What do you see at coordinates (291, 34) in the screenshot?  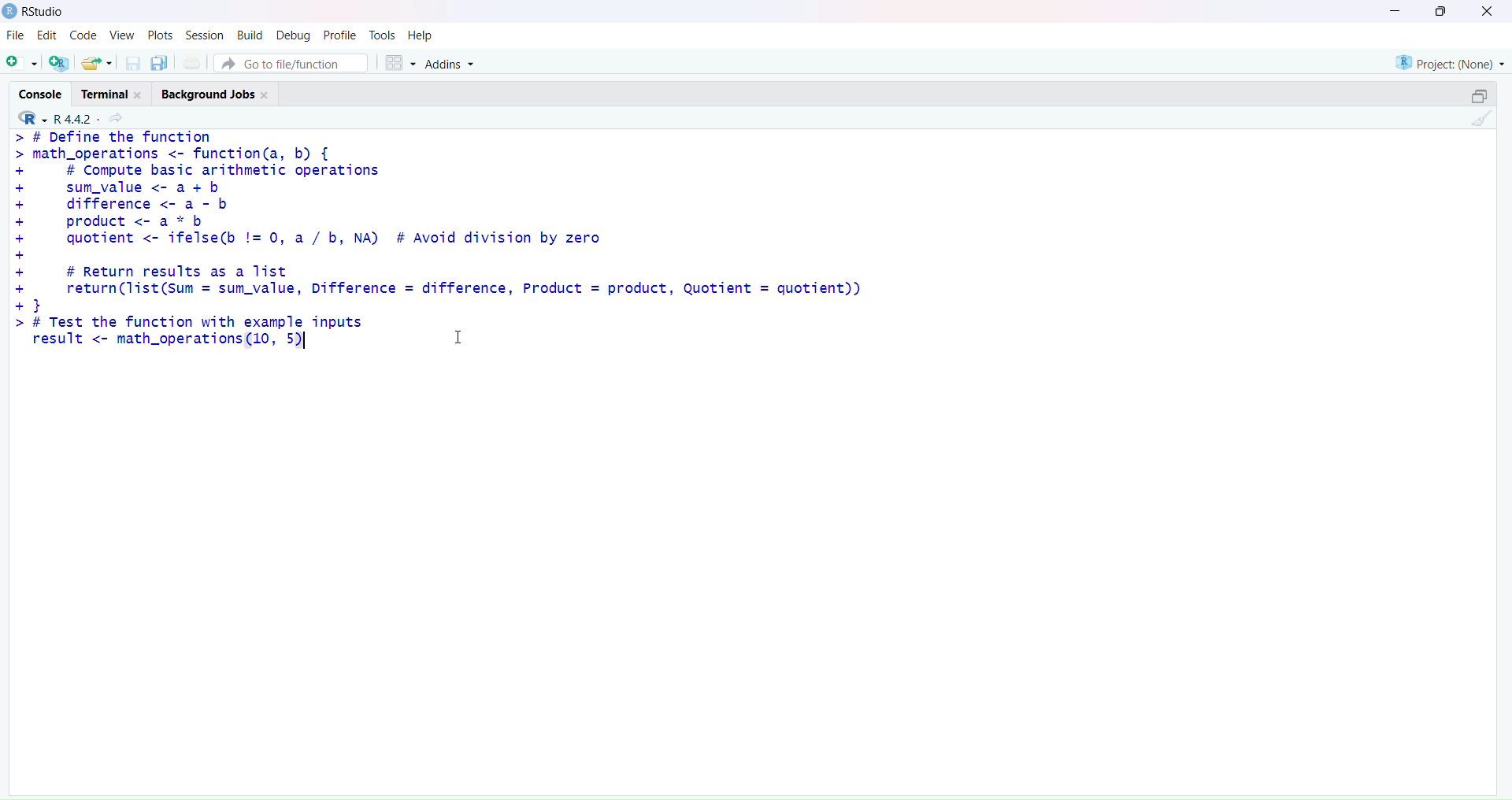 I see `Debug` at bounding box center [291, 34].